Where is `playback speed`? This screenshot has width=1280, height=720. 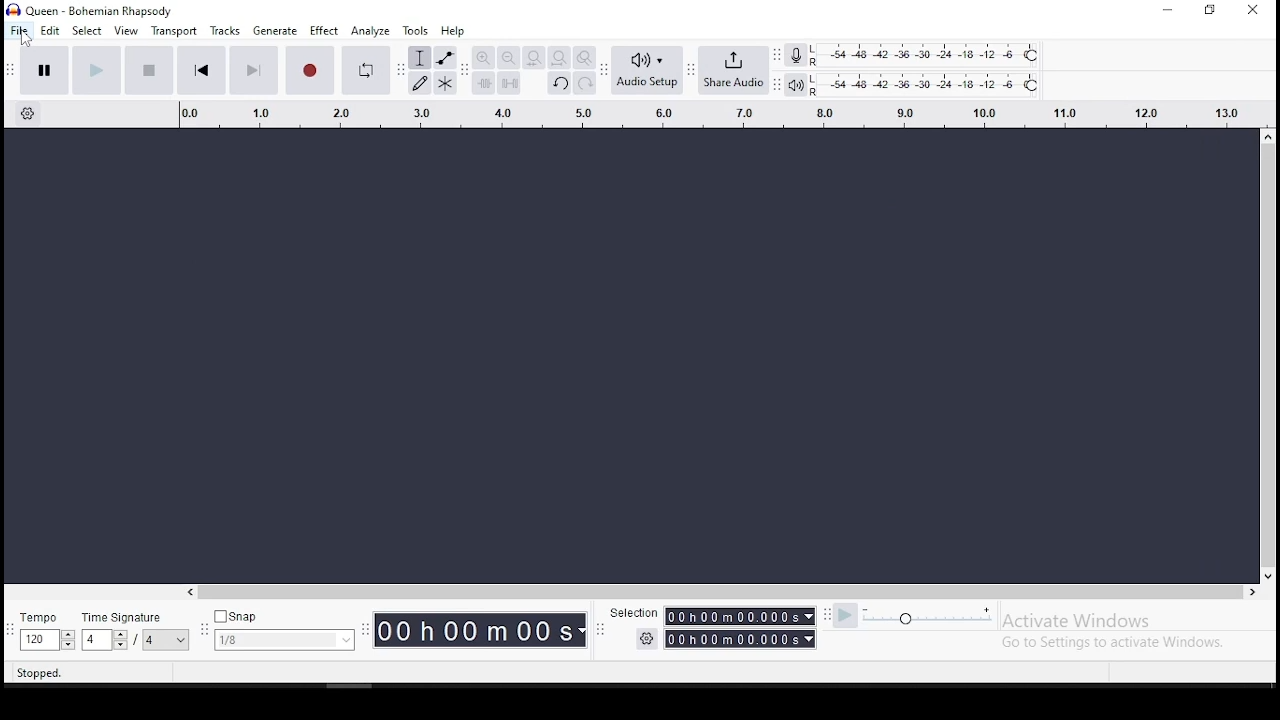 playback speed is located at coordinates (929, 616).